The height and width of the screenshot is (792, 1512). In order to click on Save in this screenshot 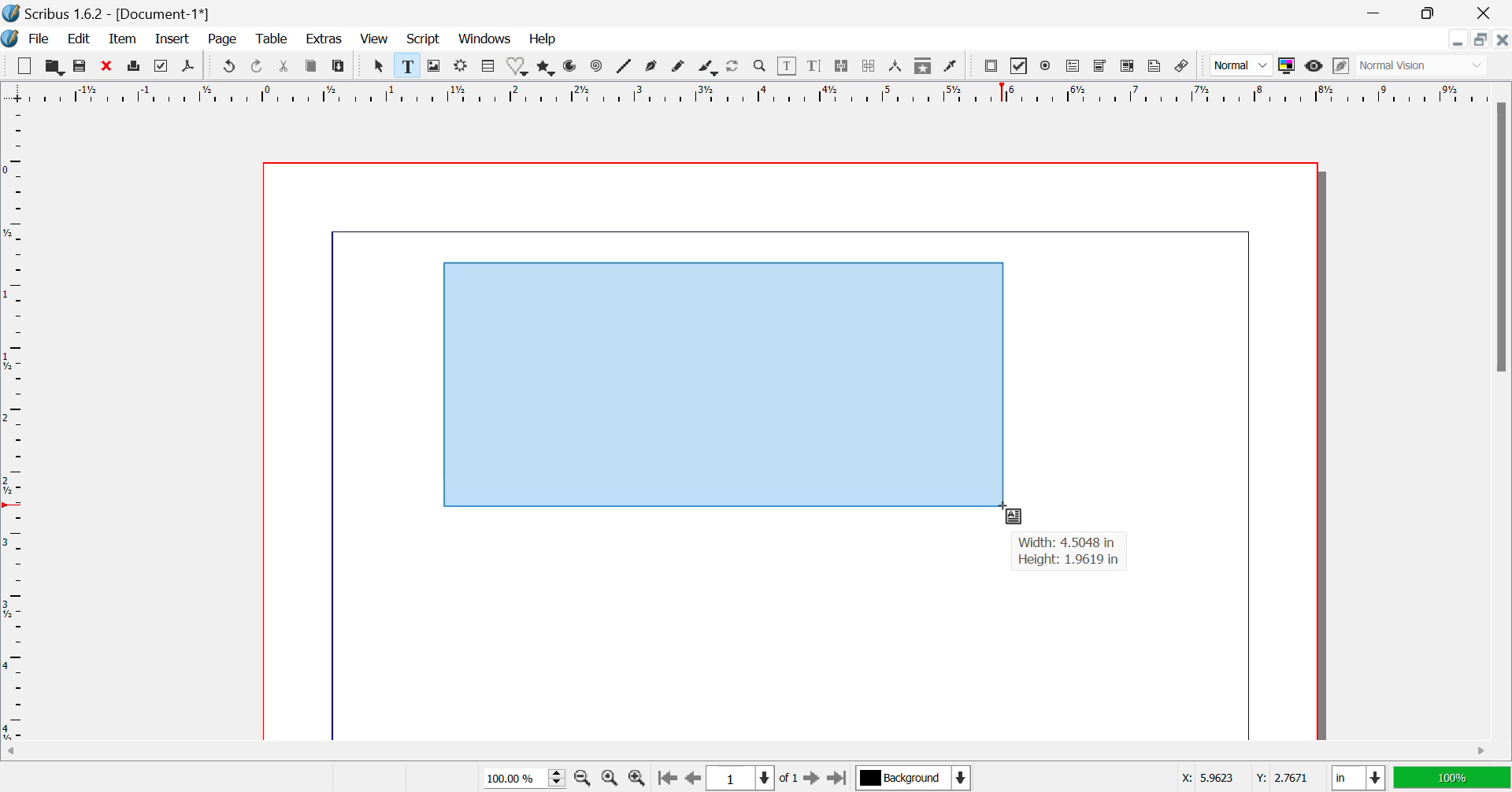, I will do `click(79, 66)`.